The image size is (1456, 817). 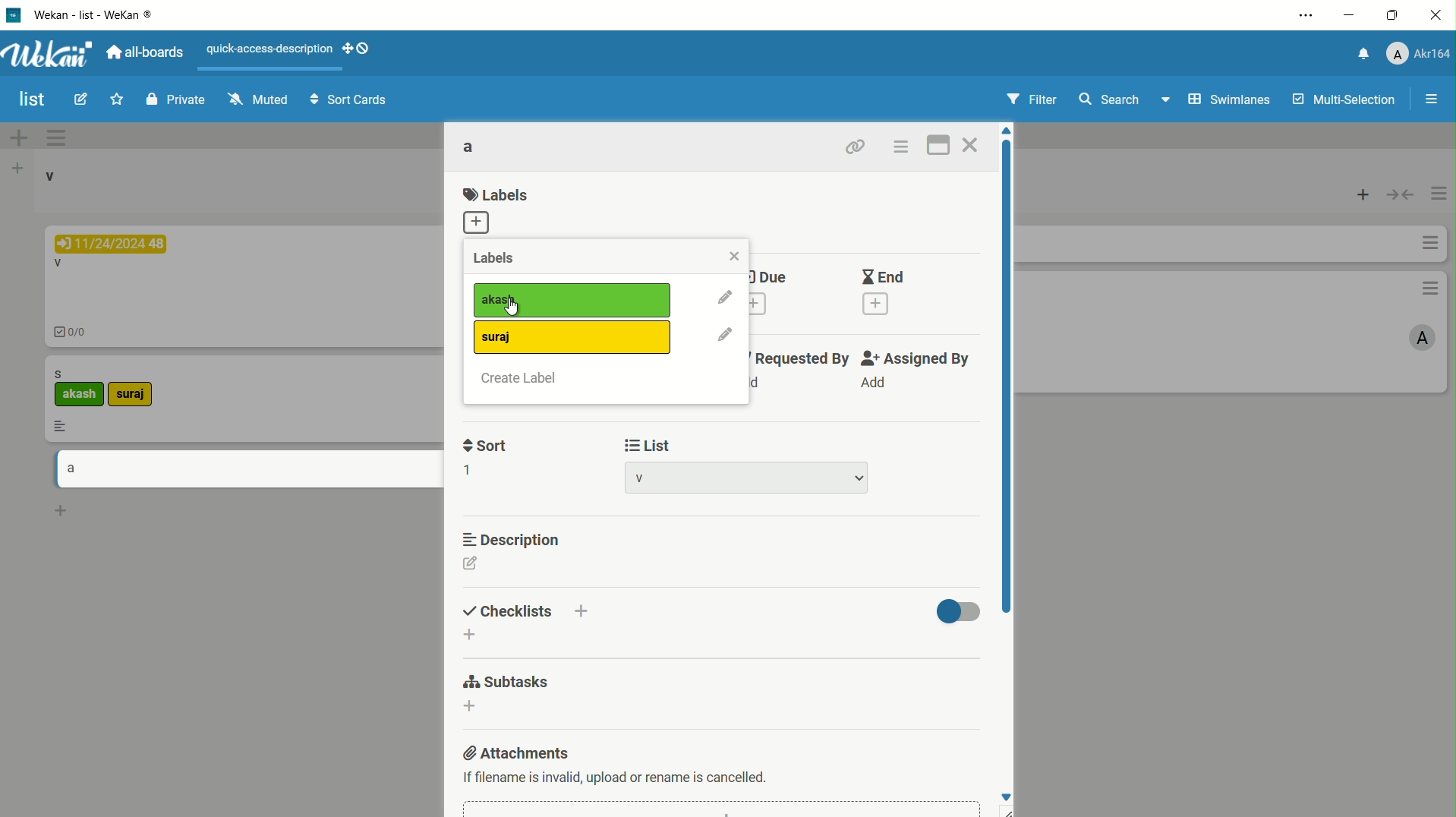 What do you see at coordinates (57, 264) in the screenshot?
I see `V` at bounding box center [57, 264].